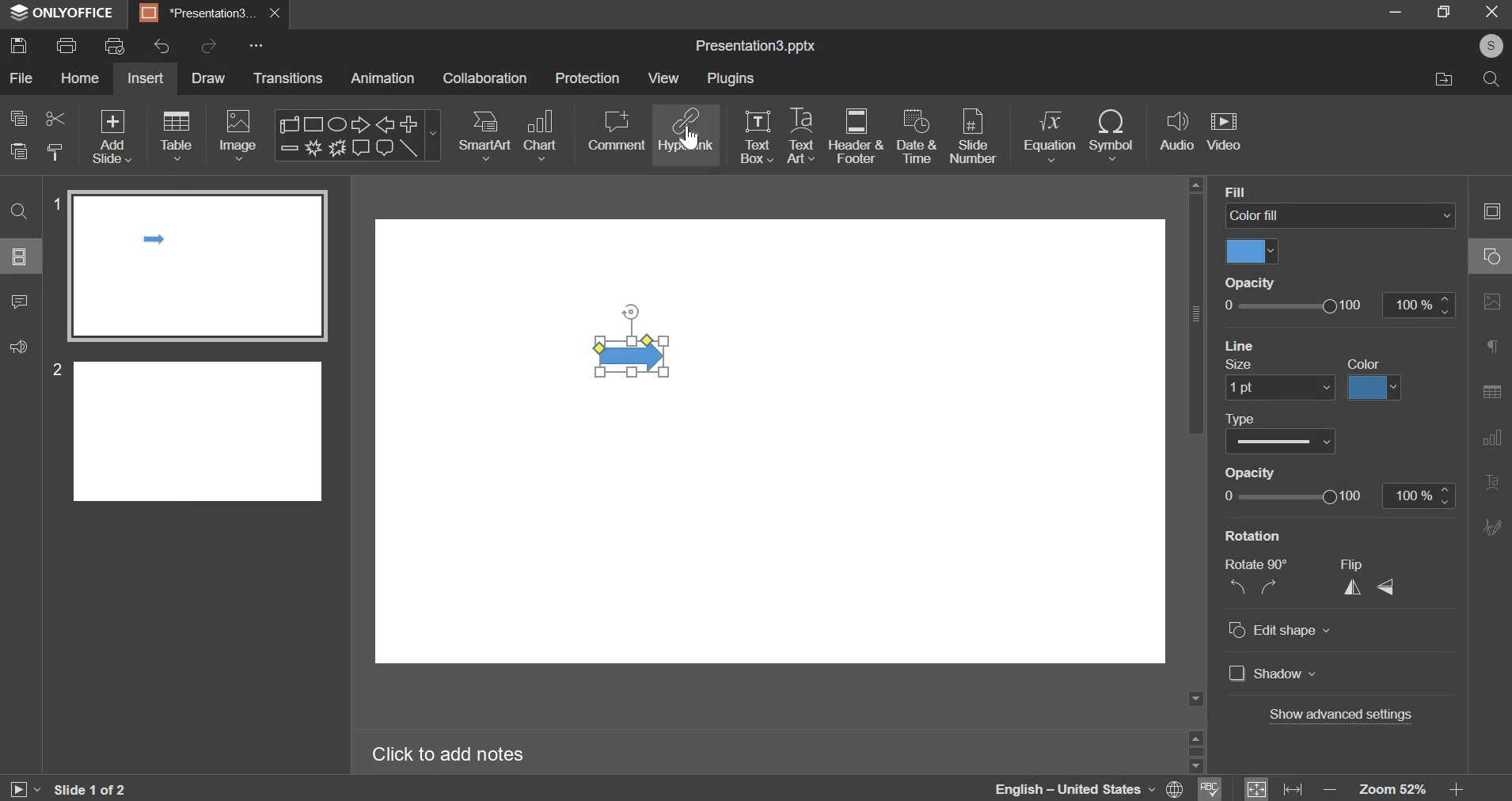 The image size is (1512, 801). Describe the element at coordinates (145, 78) in the screenshot. I see `insert` at that location.